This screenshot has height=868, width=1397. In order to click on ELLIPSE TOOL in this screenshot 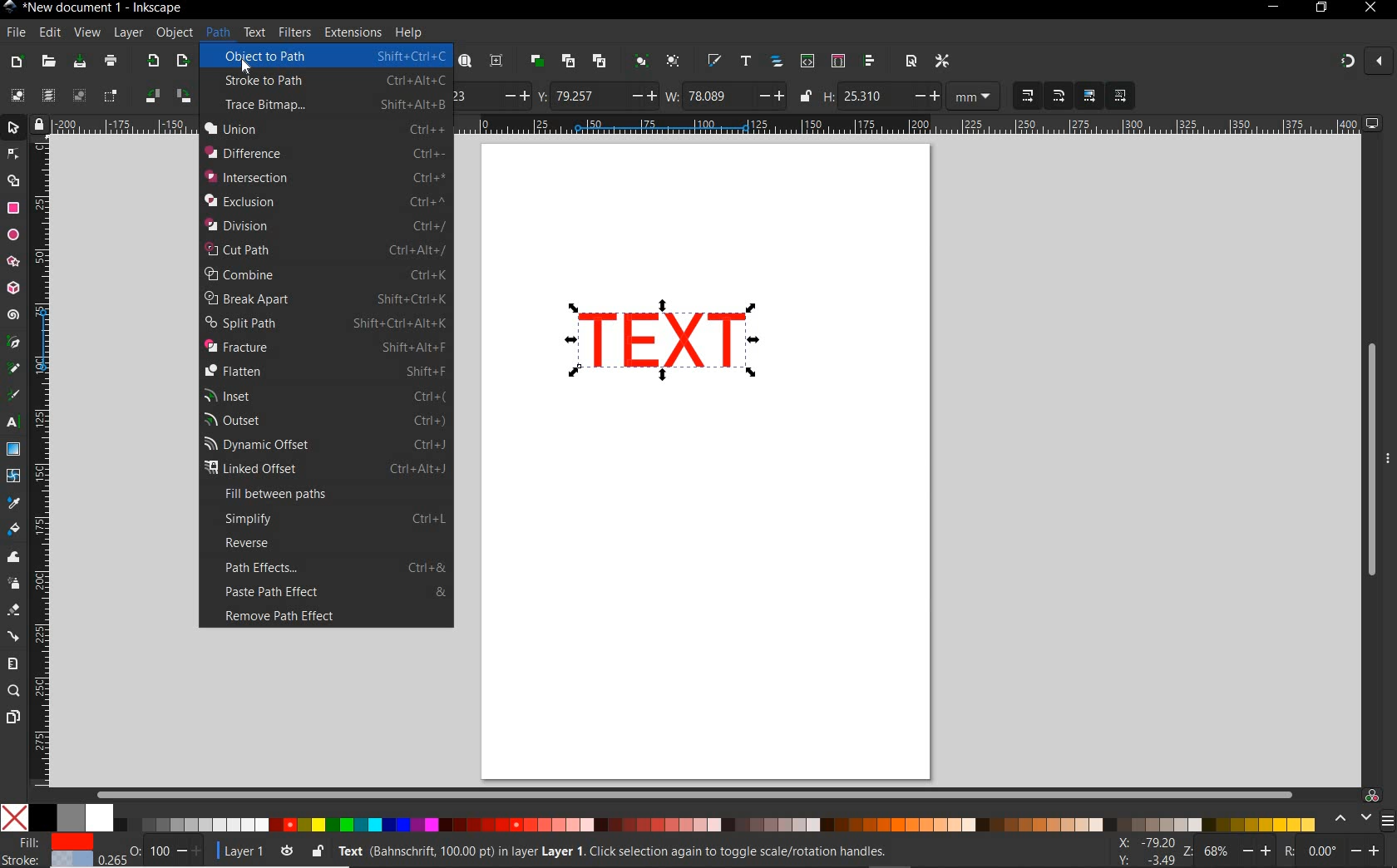, I will do `click(14, 236)`.